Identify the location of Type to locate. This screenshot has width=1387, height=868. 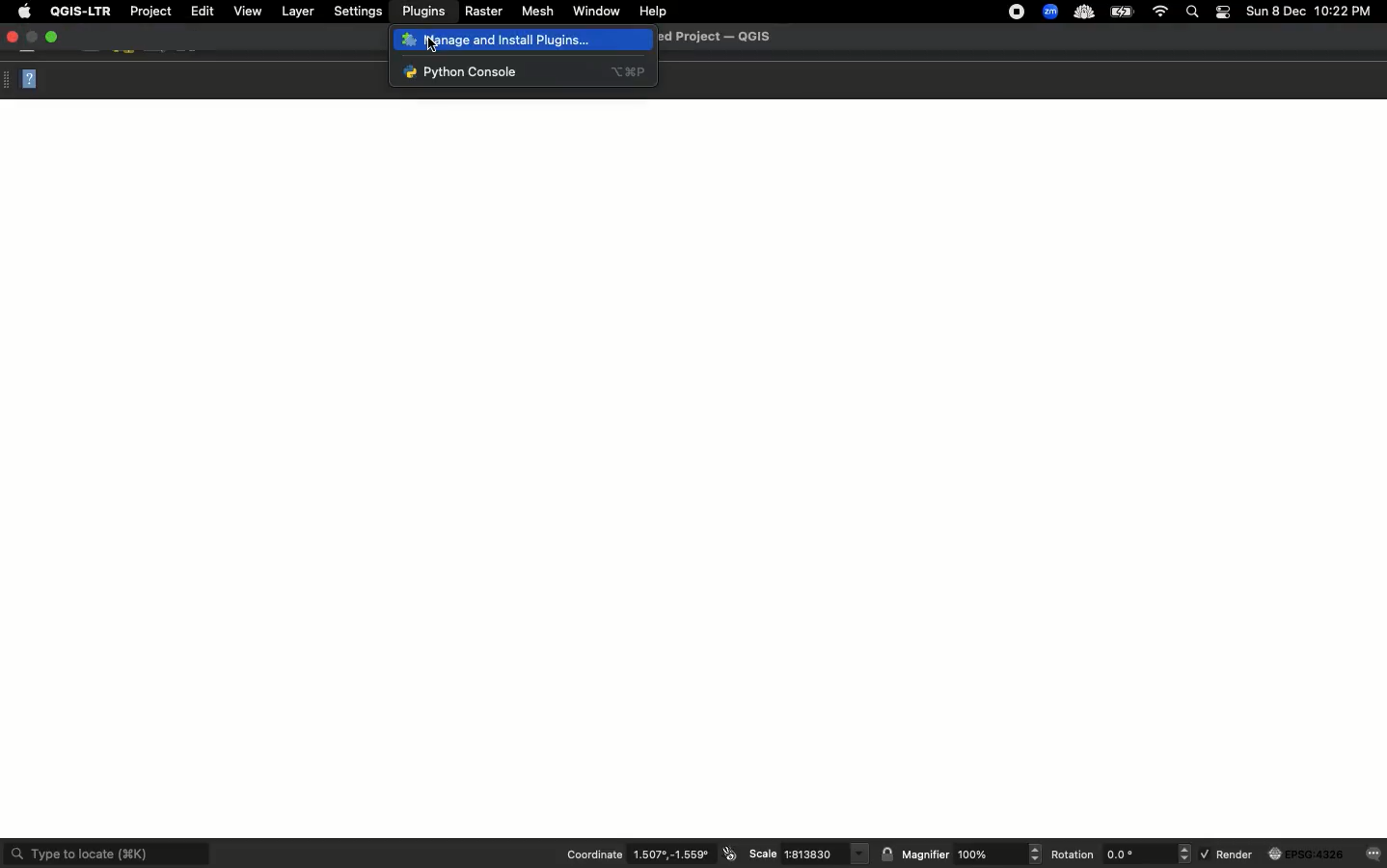
(107, 853).